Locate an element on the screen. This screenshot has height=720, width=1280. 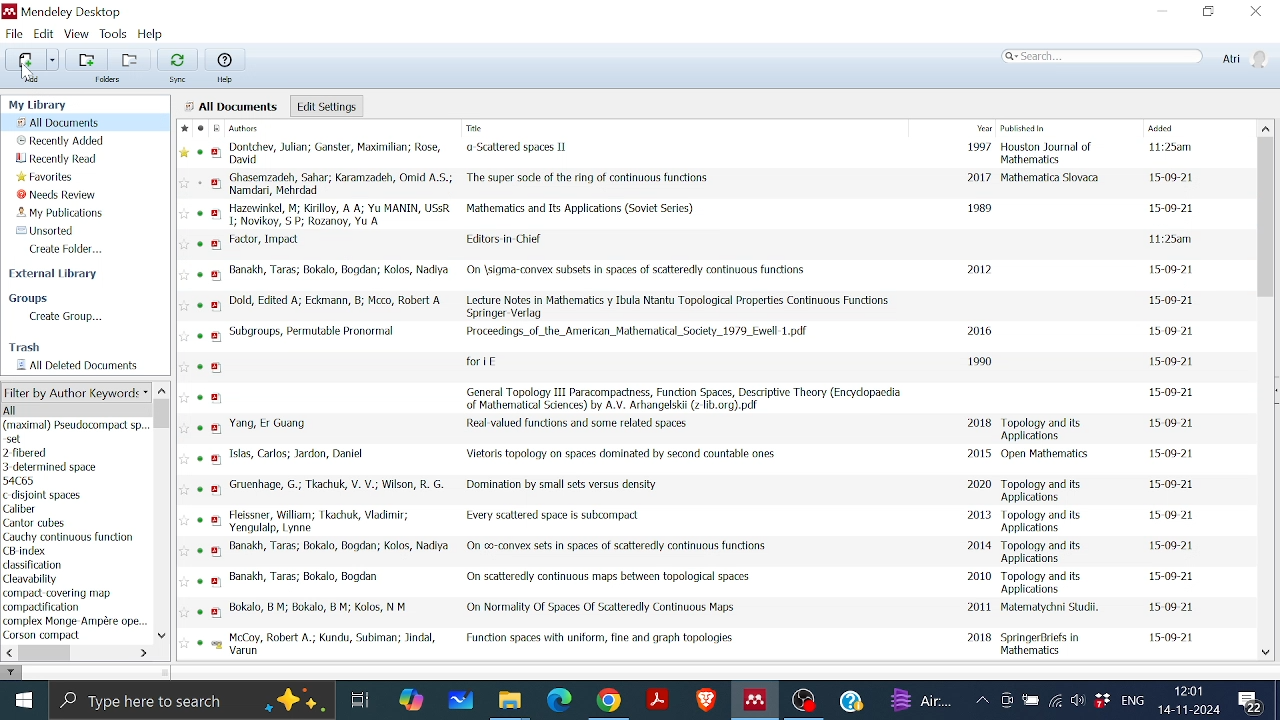
Needs review is located at coordinates (60, 195).